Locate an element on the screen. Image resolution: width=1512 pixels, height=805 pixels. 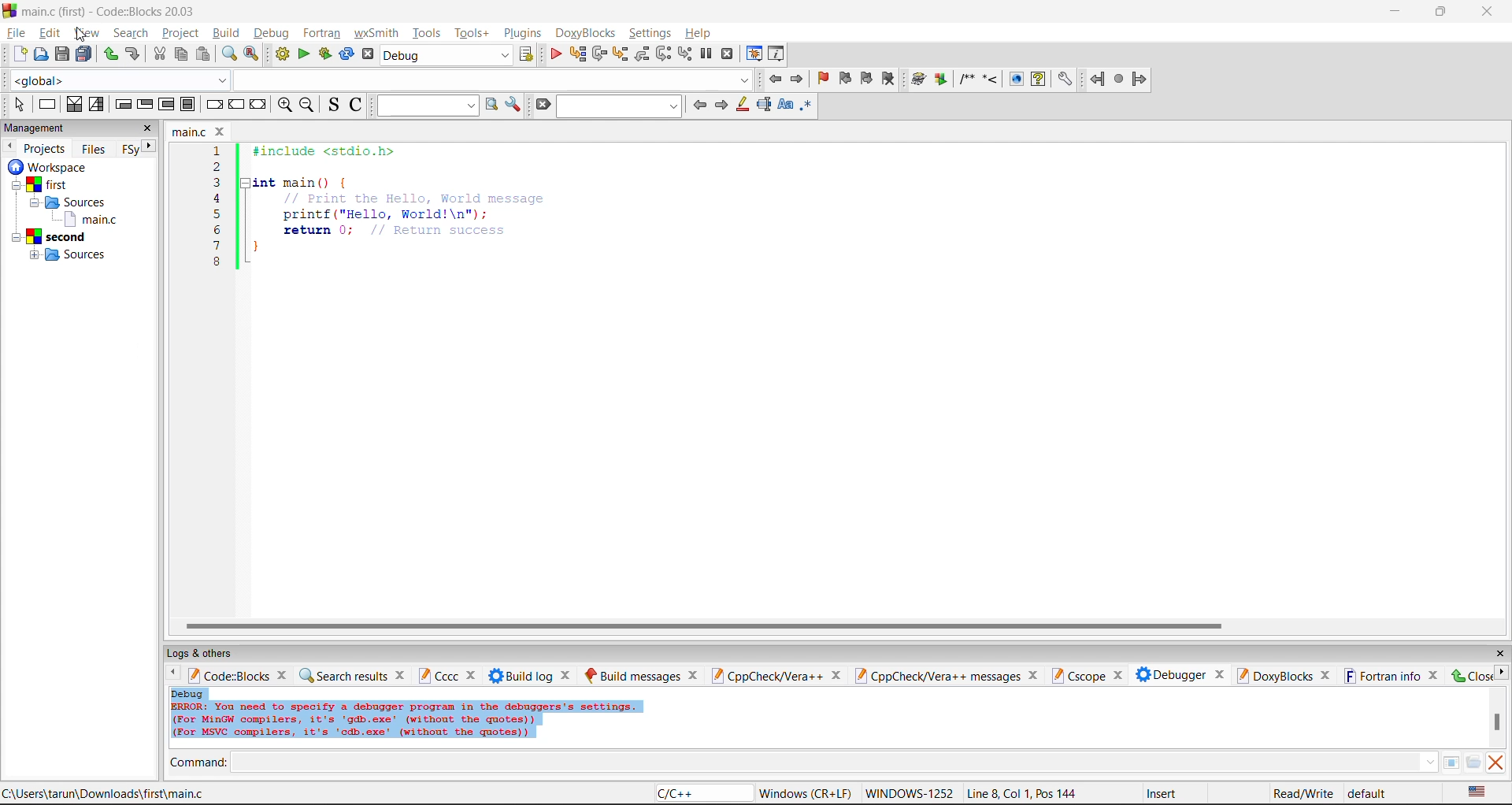
main.c is located at coordinates (85, 220).